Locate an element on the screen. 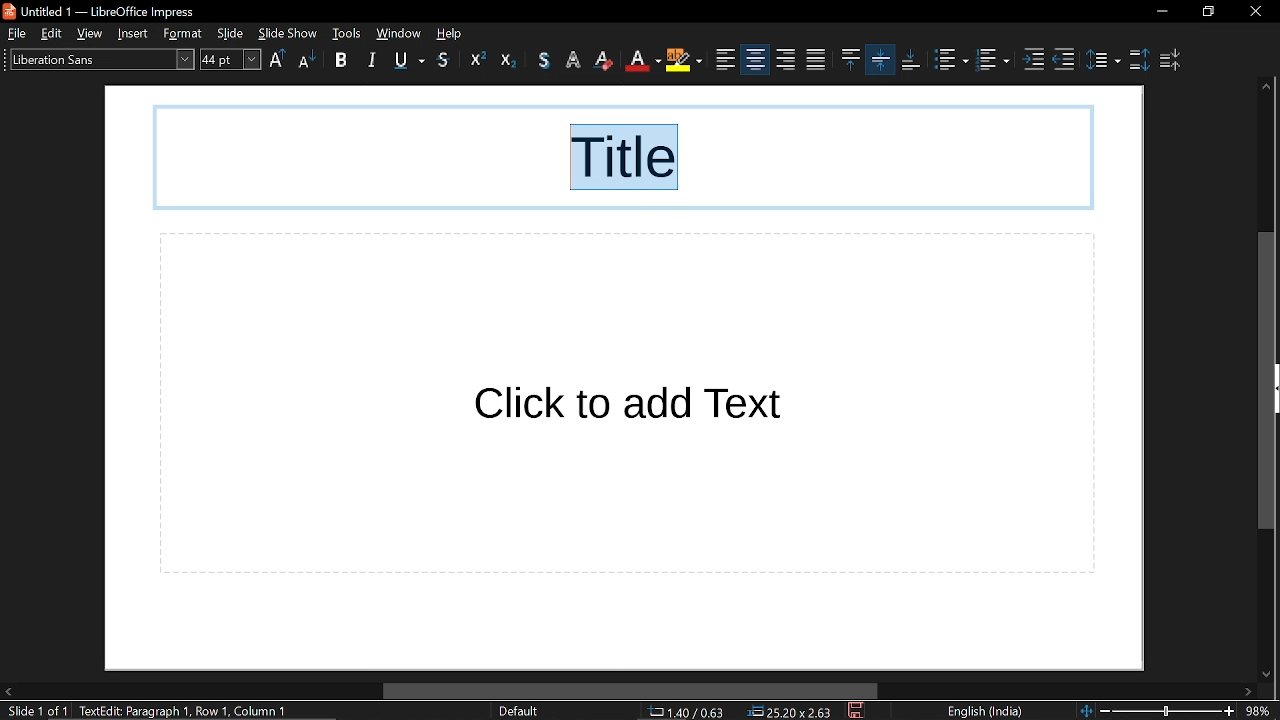 This screenshot has width=1280, height=720. expand sidebar is located at coordinates (1276, 388).